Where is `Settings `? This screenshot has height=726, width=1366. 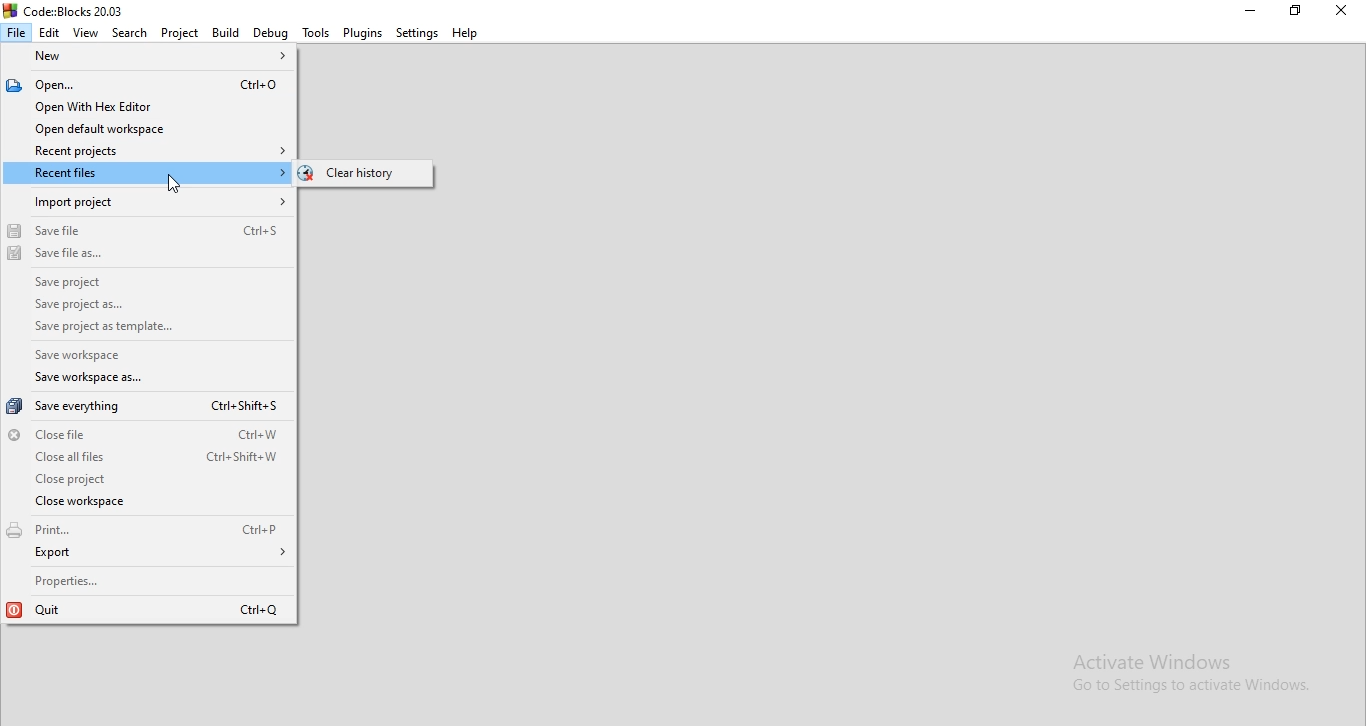
Settings  is located at coordinates (417, 34).